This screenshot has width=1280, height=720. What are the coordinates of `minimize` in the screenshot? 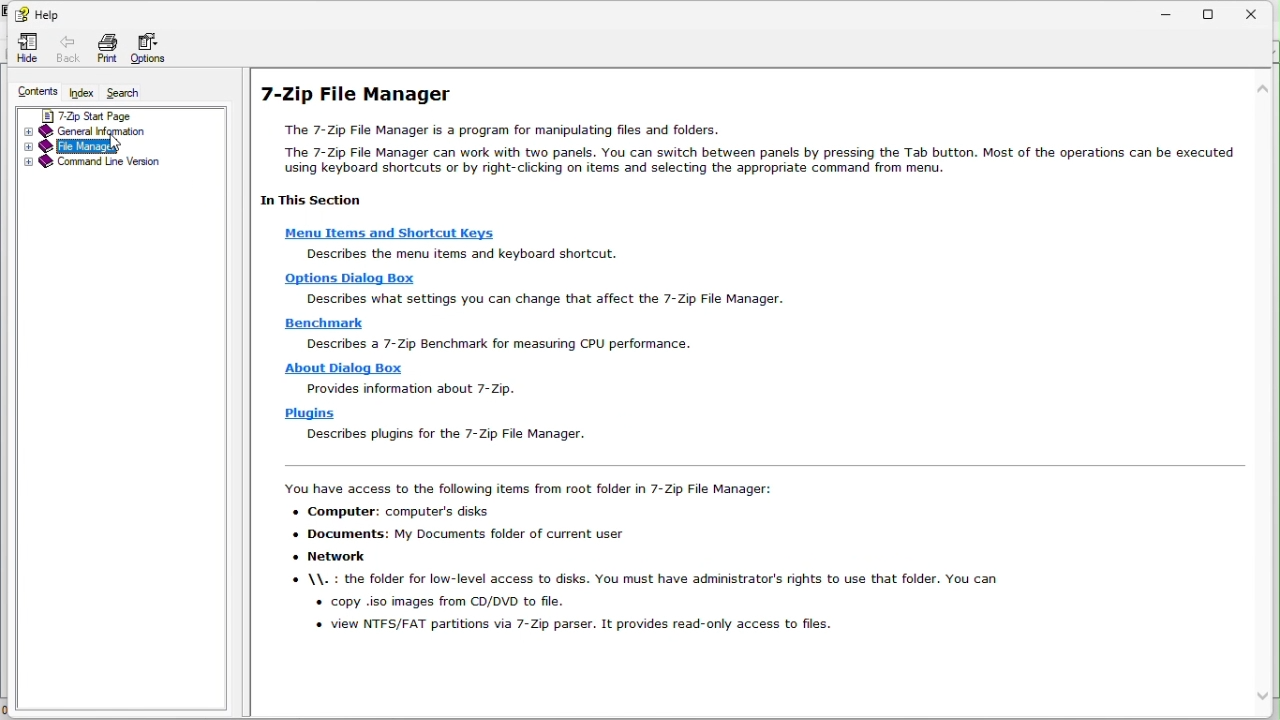 It's located at (1163, 12).